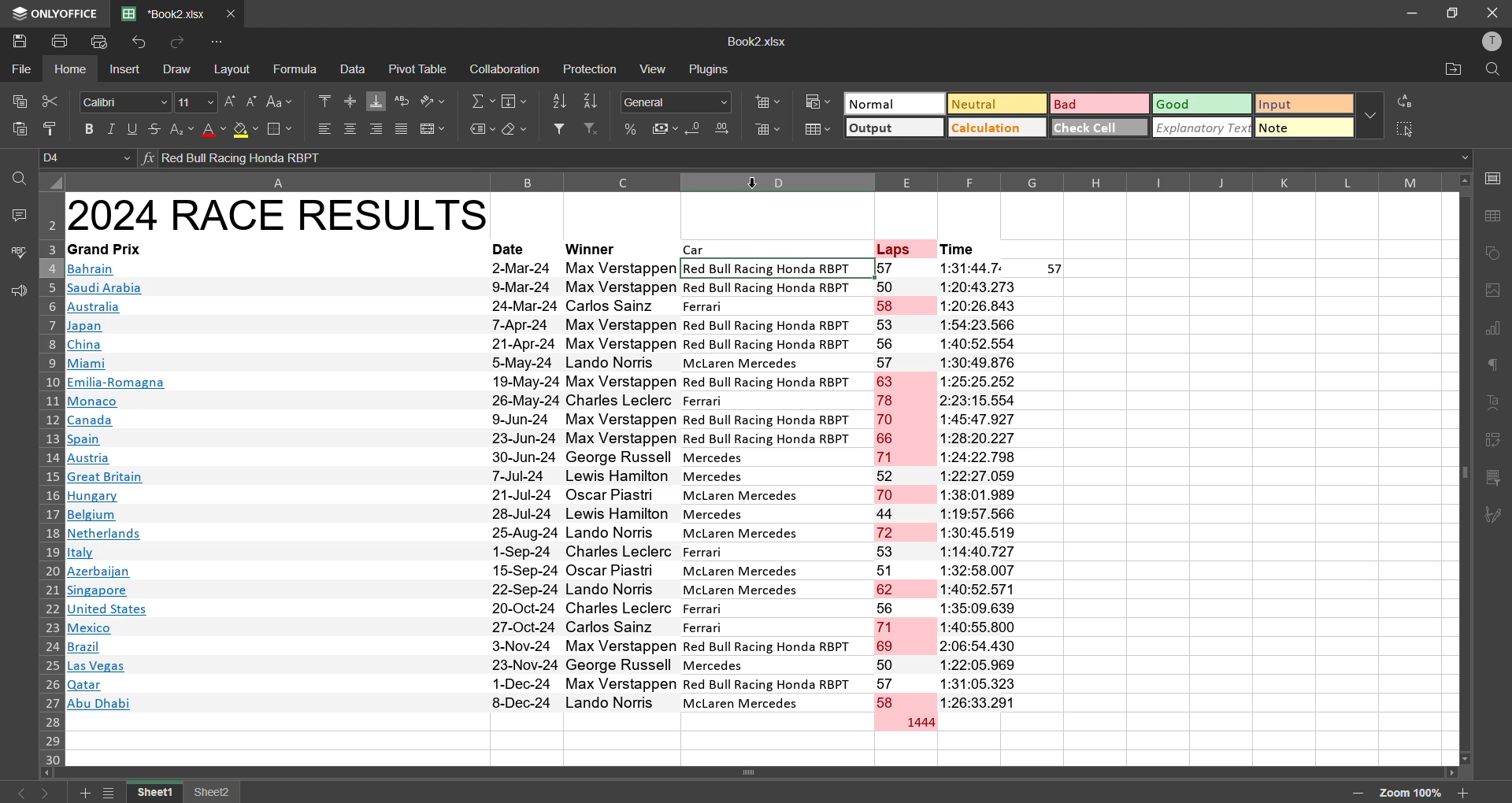  Describe the element at coordinates (22, 67) in the screenshot. I see `file` at that location.